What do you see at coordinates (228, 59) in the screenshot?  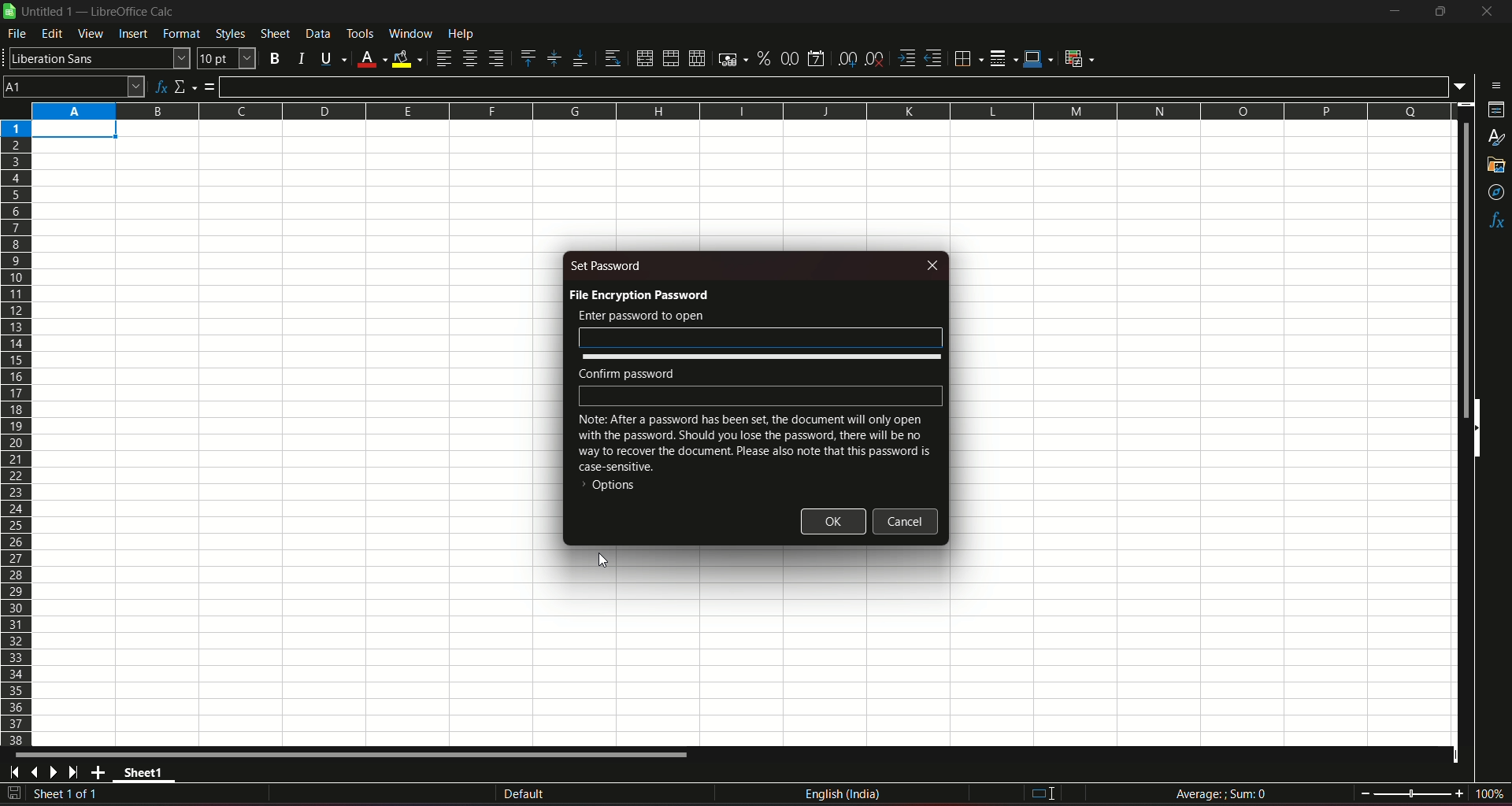 I see `font size` at bounding box center [228, 59].